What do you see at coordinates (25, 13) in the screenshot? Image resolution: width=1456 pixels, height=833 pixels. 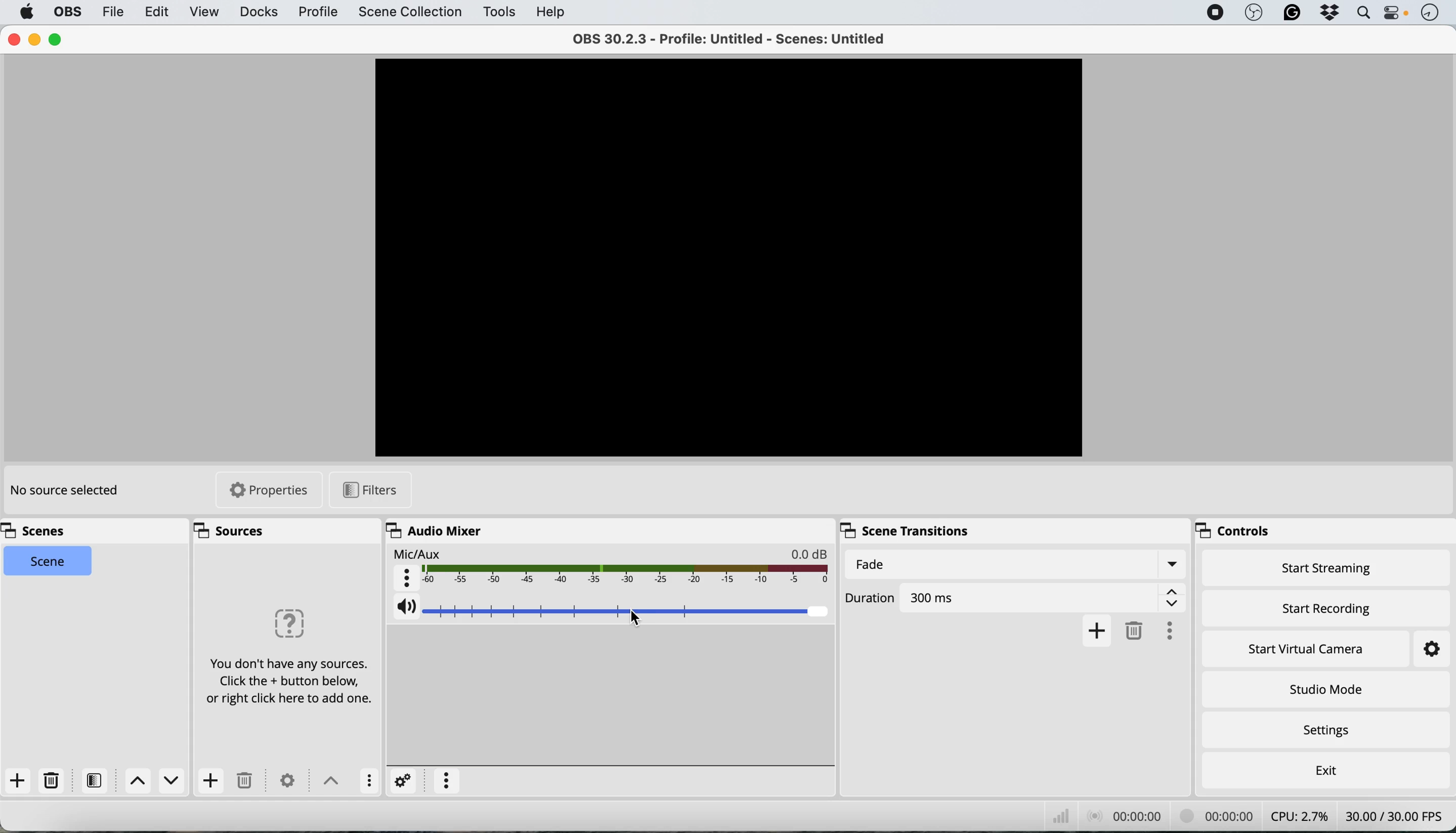 I see `system logo` at bounding box center [25, 13].